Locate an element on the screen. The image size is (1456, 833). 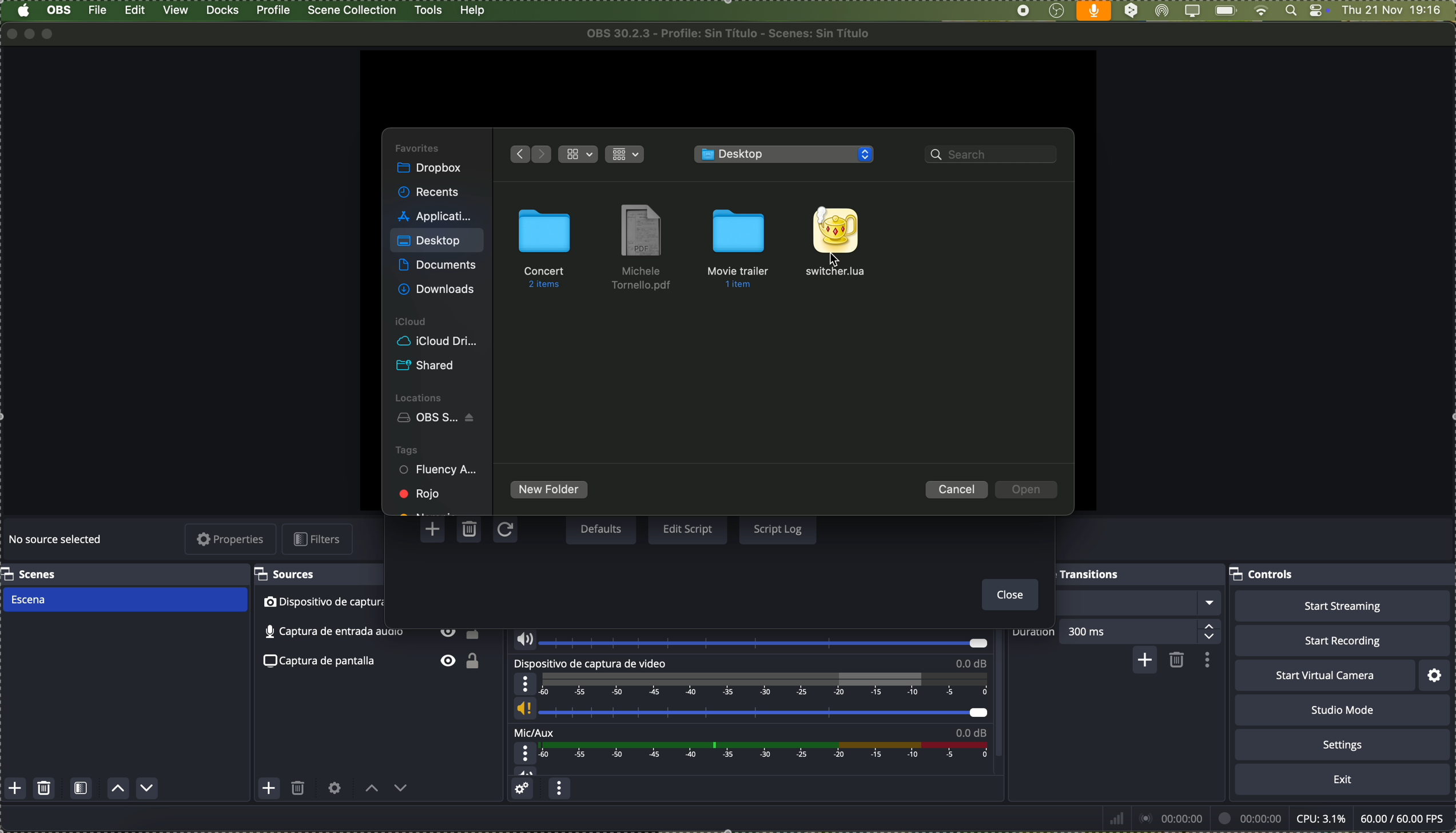
Spotlight search is located at coordinates (1289, 11).